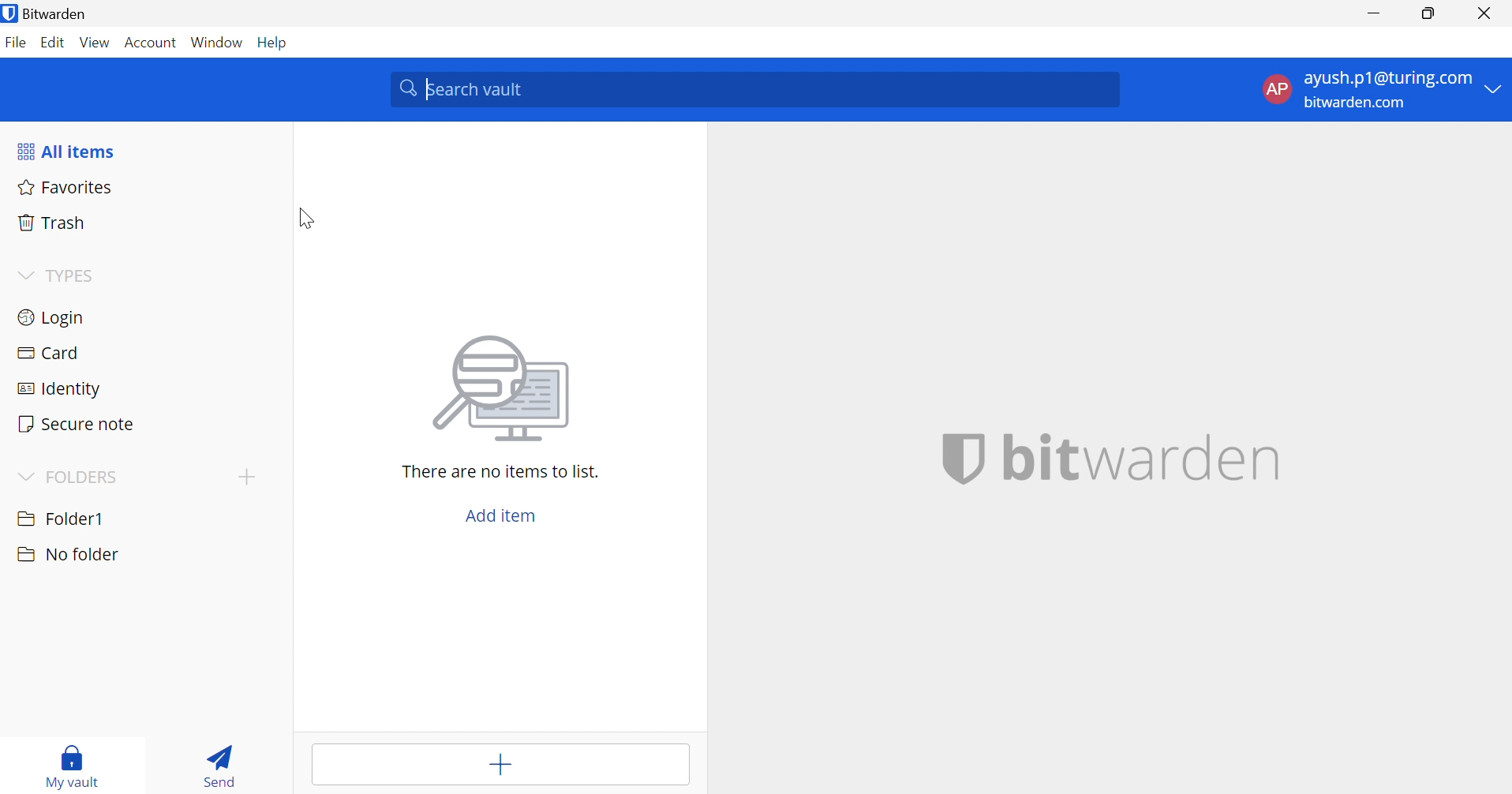  What do you see at coordinates (1379, 92) in the screenshot?
I see `Account Options Drop Down` at bounding box center [1379, 92].